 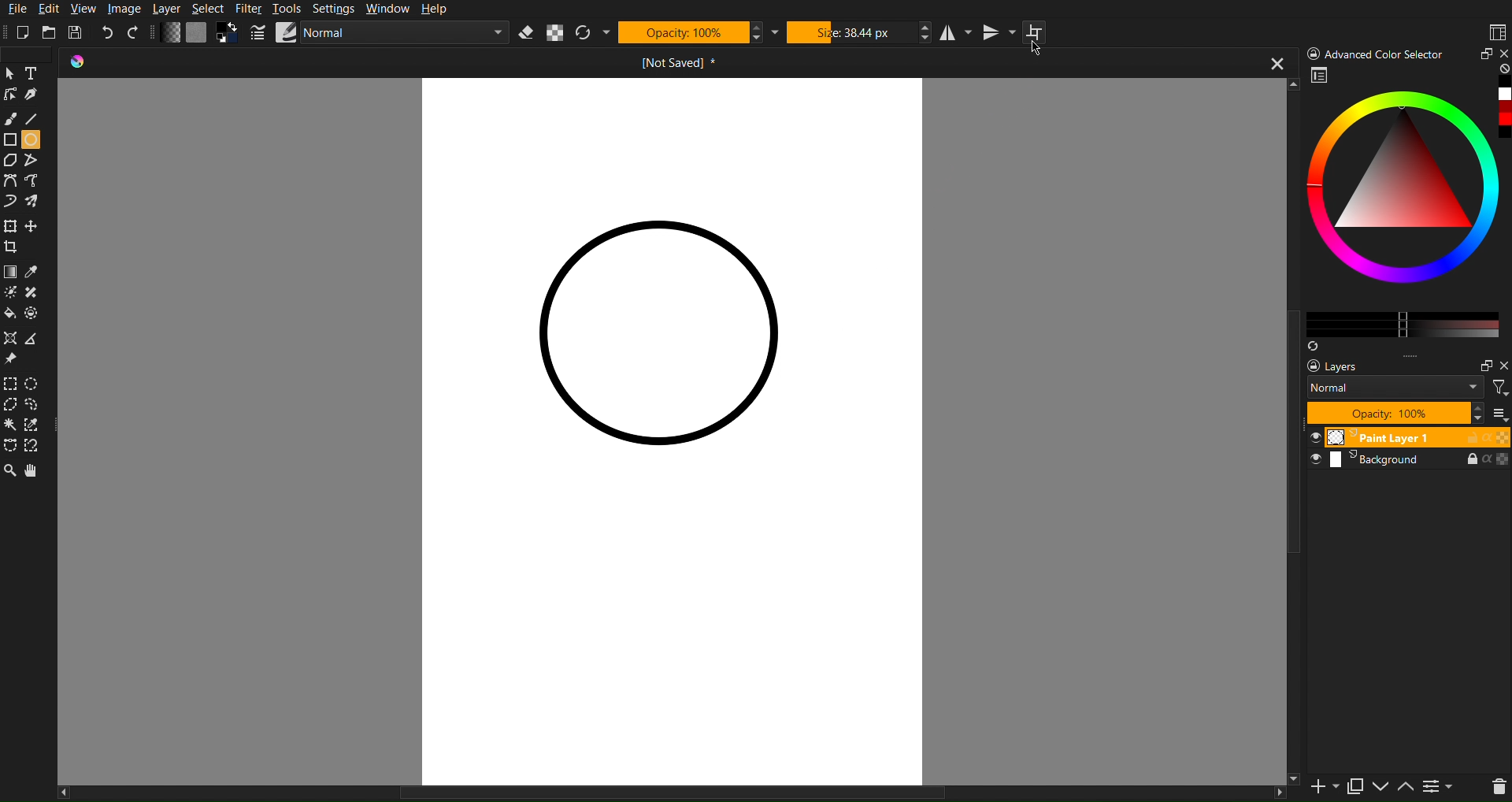 What do you see at coordinates (33, 95) in the screenshot?
I see `Pen` at bounding box center [33, 95].